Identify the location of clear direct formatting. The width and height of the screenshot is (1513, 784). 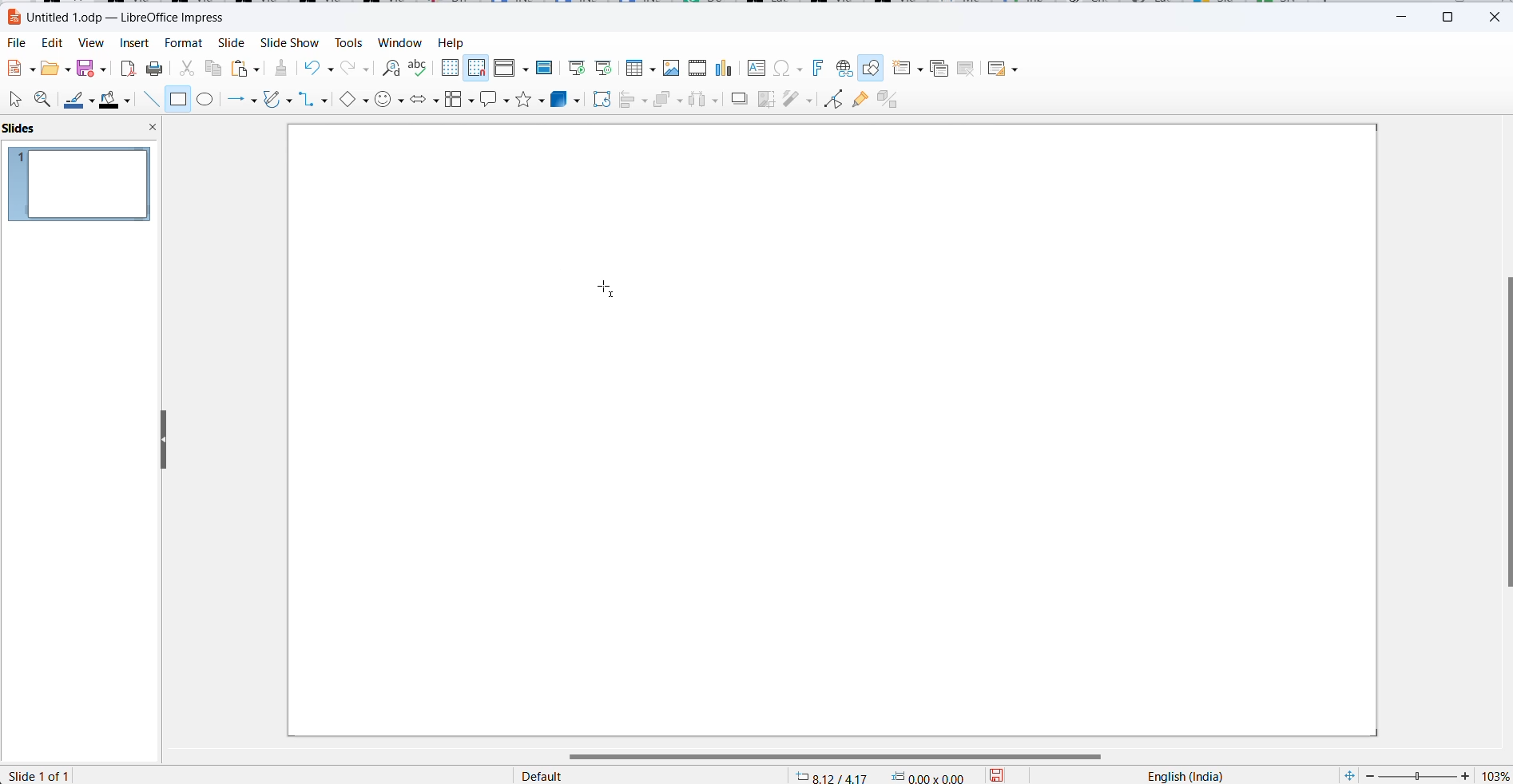
(280, 68).